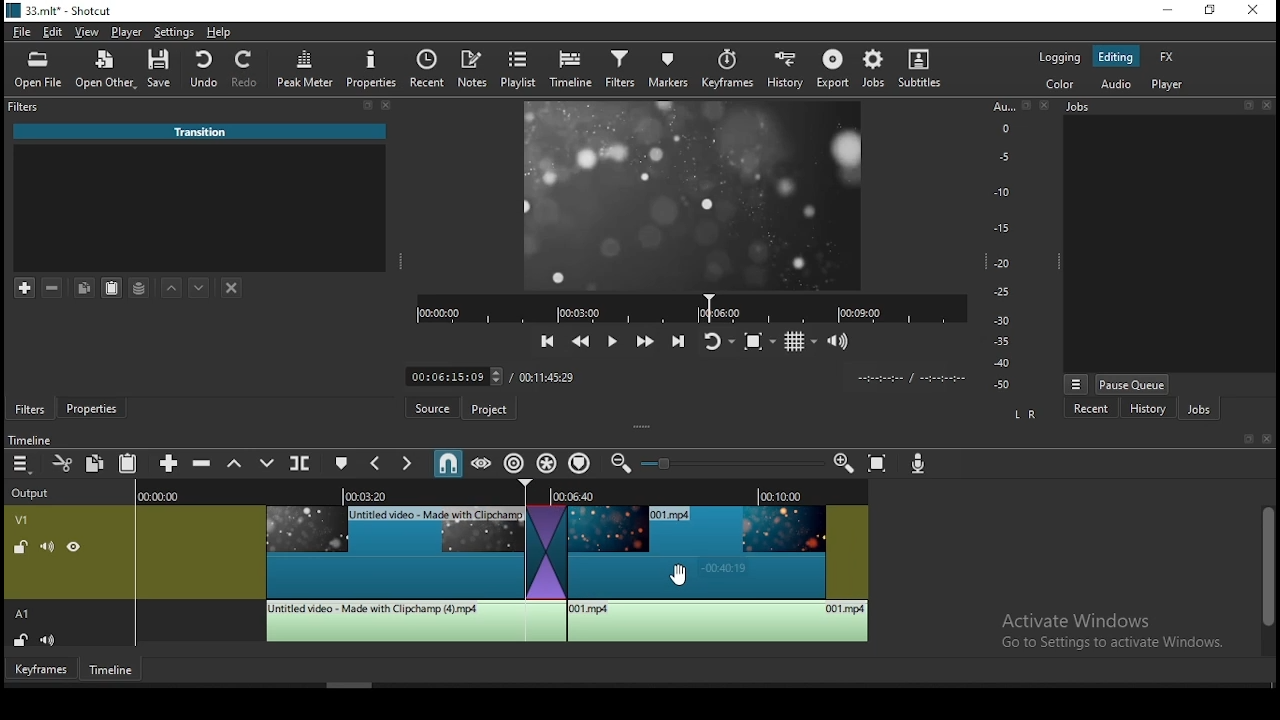 This screenshot has height=720, width=1280. Describe the element at coordinates (583, 341) in the screenshot. I see `play quickly backward` at that location.